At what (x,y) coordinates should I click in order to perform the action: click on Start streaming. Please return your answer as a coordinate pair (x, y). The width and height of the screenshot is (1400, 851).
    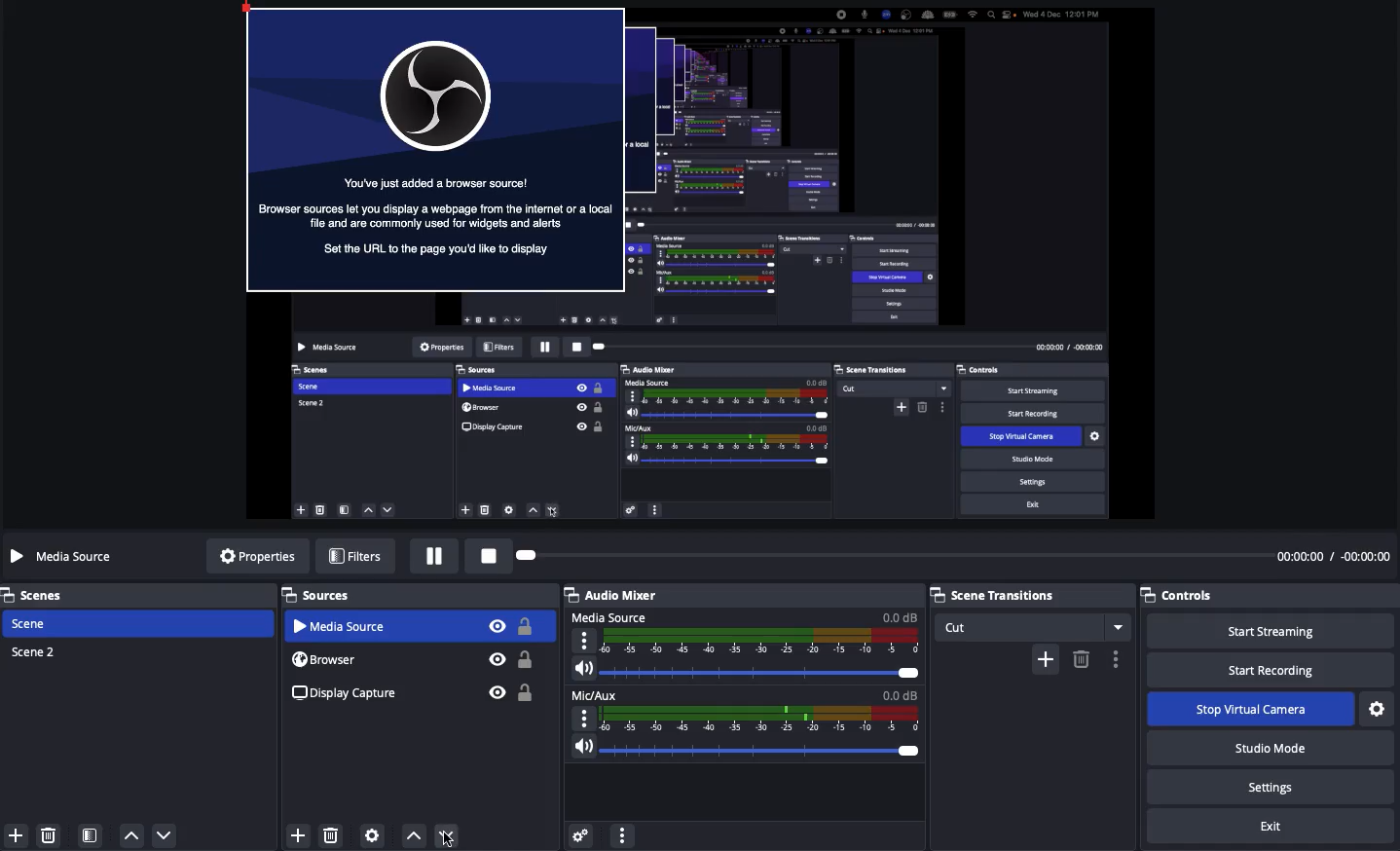
    Looking at the image, I should click on (1267, 632).